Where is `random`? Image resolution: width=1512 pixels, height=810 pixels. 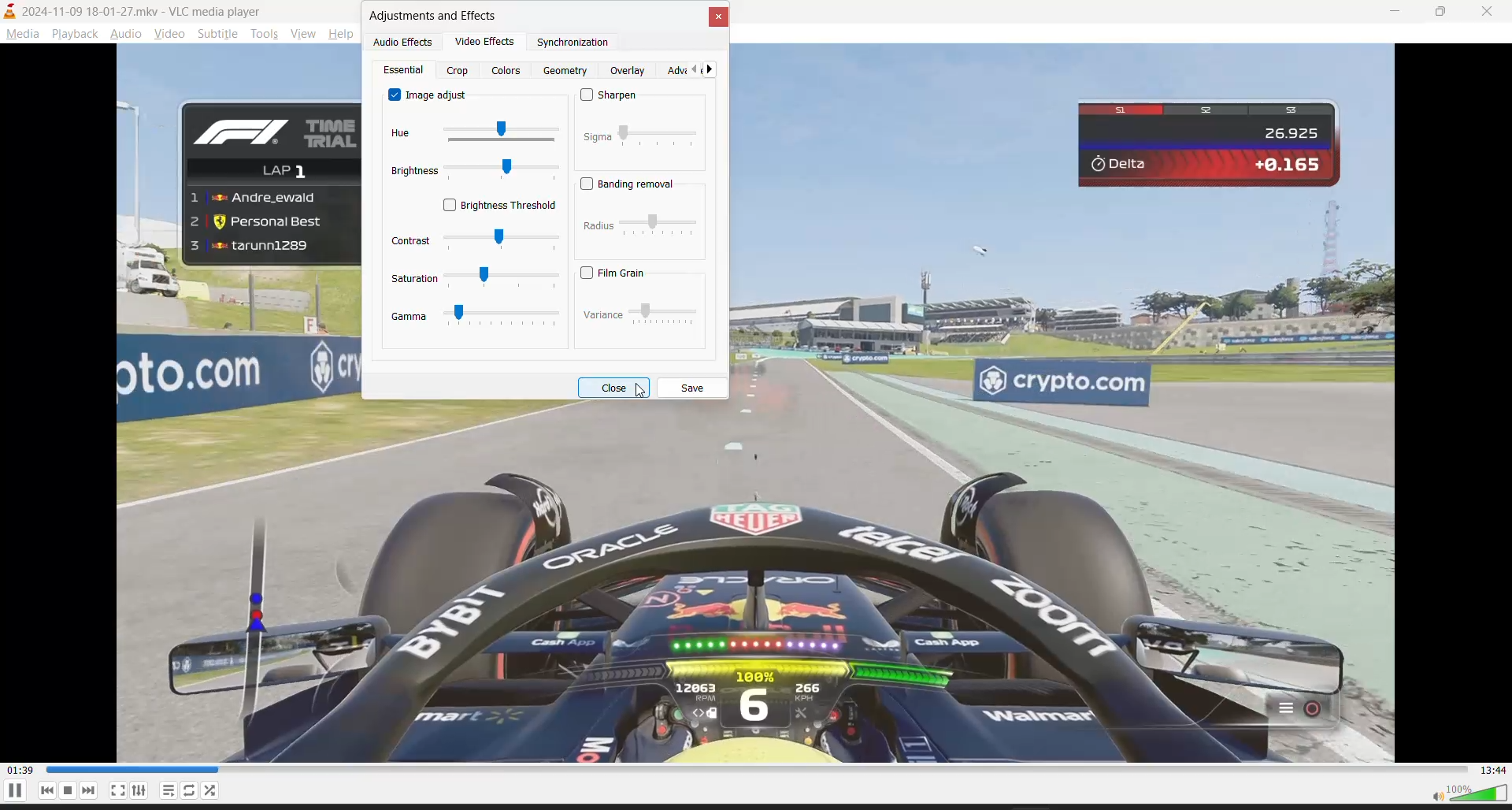 random is located at coordinates (213, 791).